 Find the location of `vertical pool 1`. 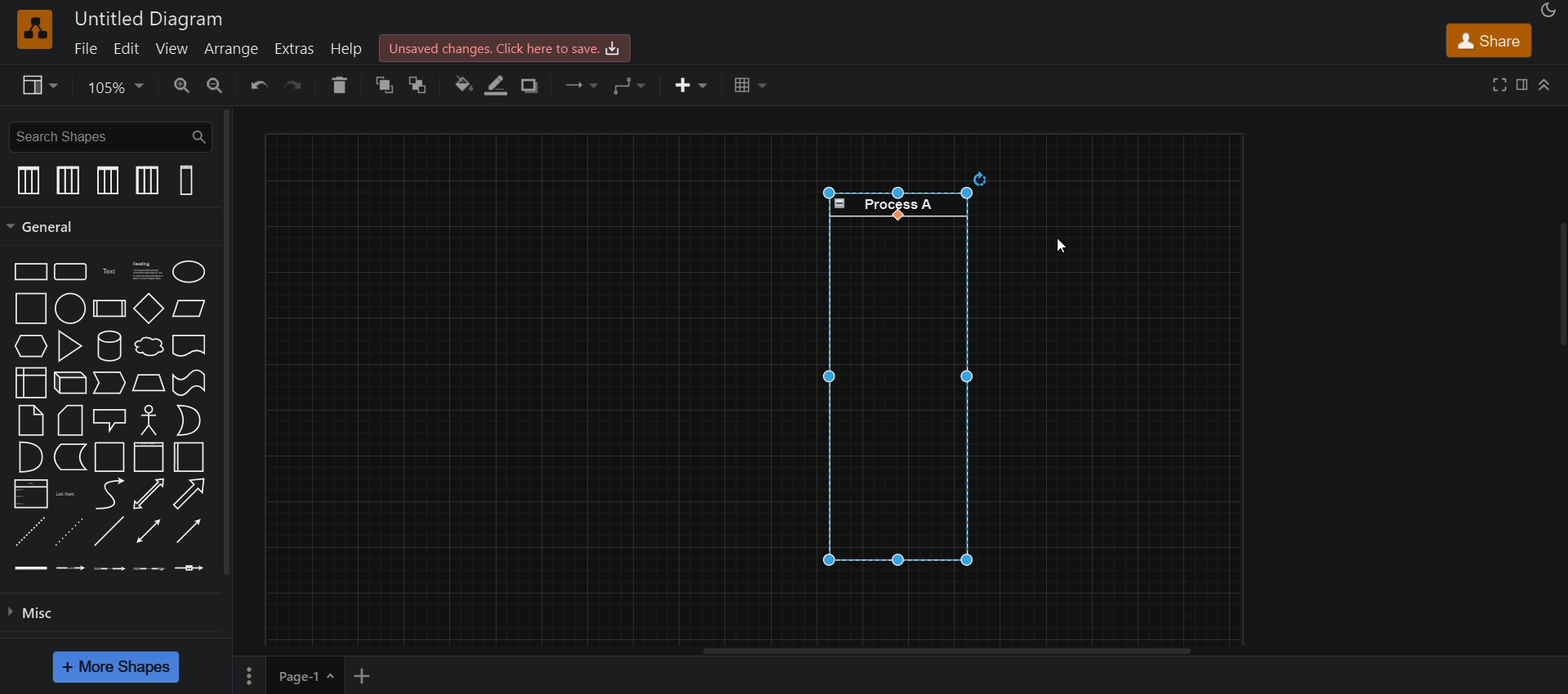

vertical pool 1 is located at coordinates (28, 180).